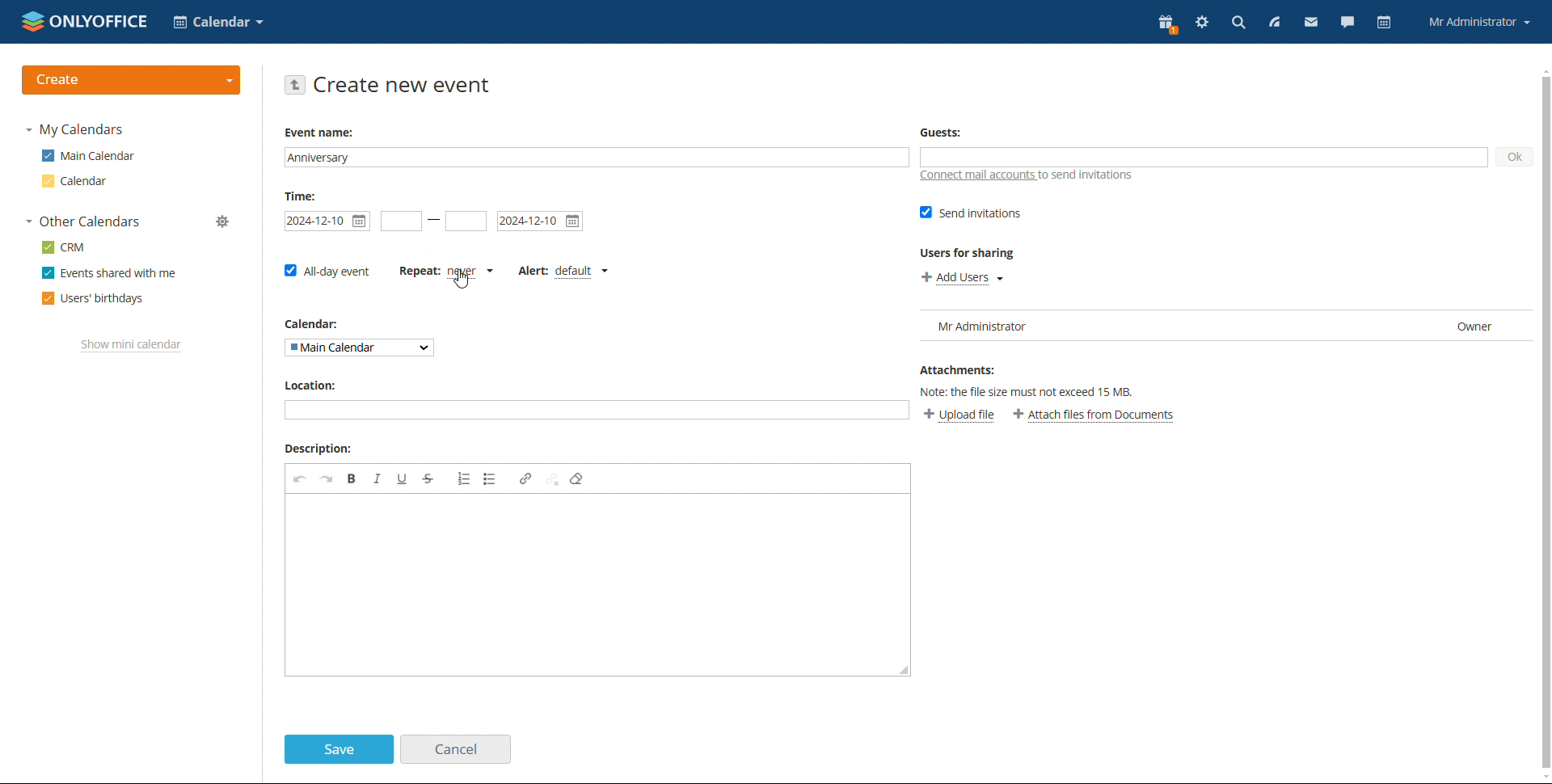 Image resolution: width=1552 pixels, height=784 pixels. What do you see at coordinates (1542, 421) in the screenshot?
I see `vertical scroll bar` at bounding box center [1542, 421].